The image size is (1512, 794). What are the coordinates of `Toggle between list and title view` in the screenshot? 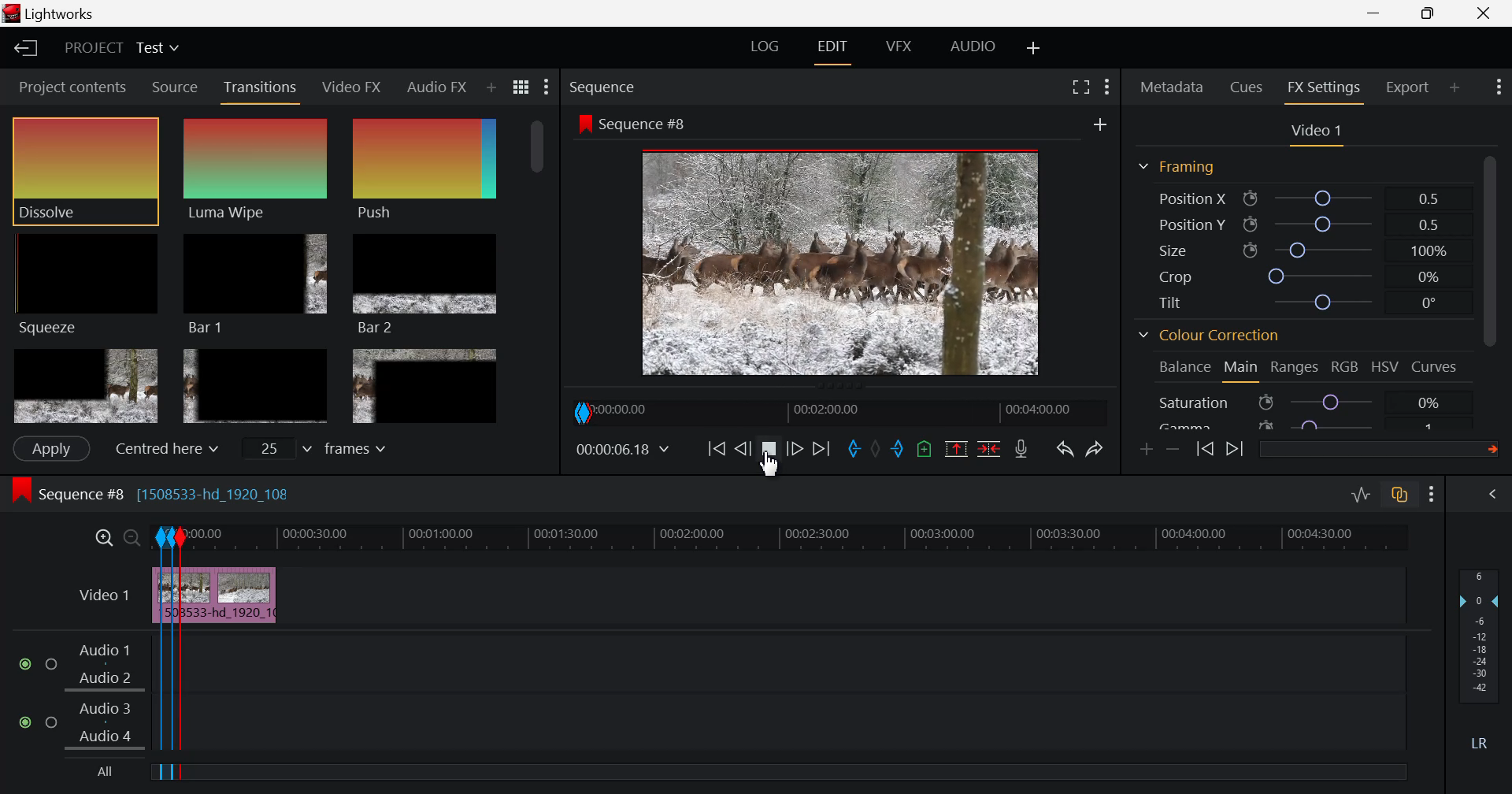 It's located at (523, 87).